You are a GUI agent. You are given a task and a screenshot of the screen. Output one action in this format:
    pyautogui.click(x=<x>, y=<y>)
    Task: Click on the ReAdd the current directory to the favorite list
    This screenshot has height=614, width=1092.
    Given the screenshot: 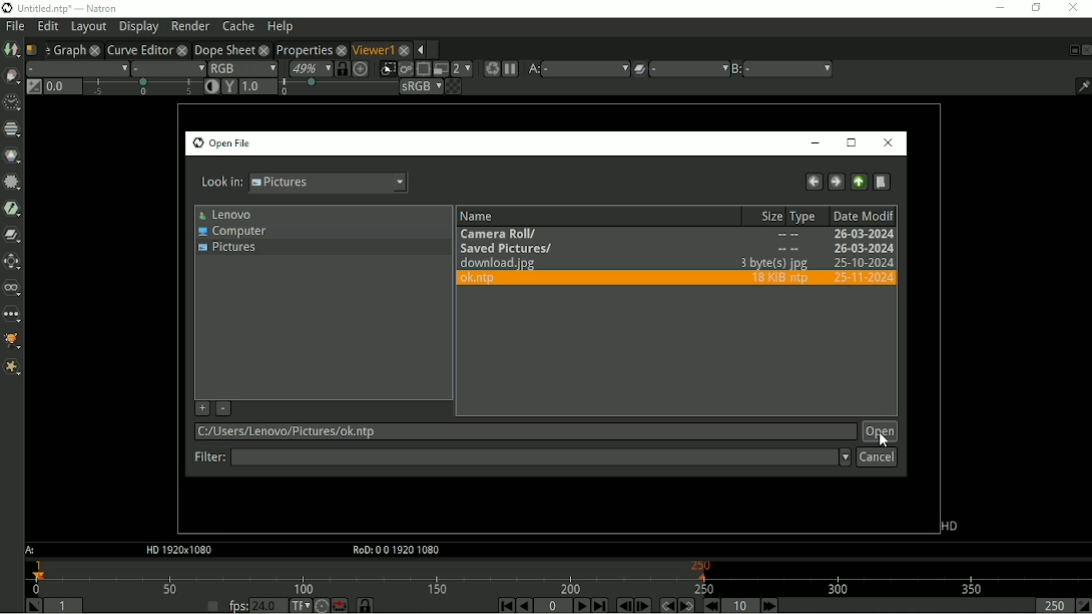 What is the action you would take?
    pyautogui.click(x=201, y=409)
    